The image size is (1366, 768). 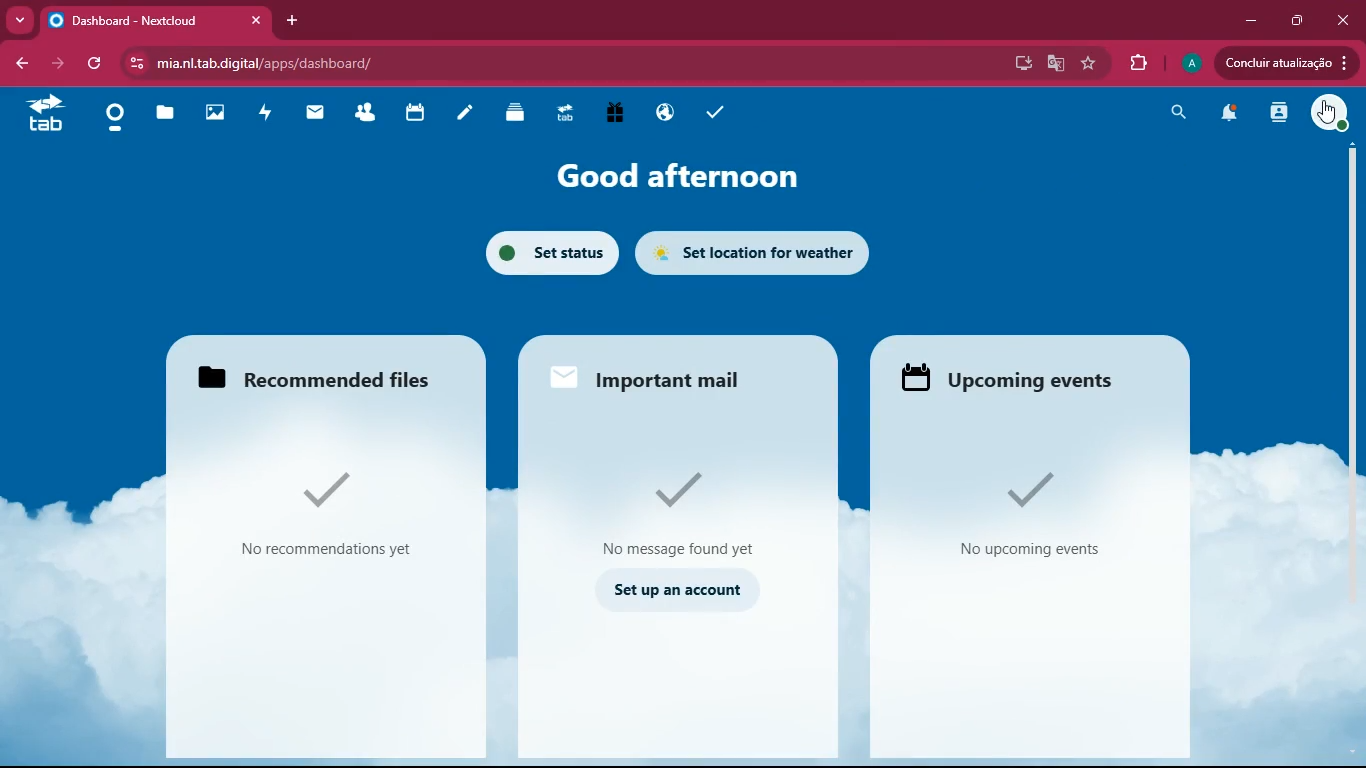 I want to click on forward, so click(x=55, y=62).